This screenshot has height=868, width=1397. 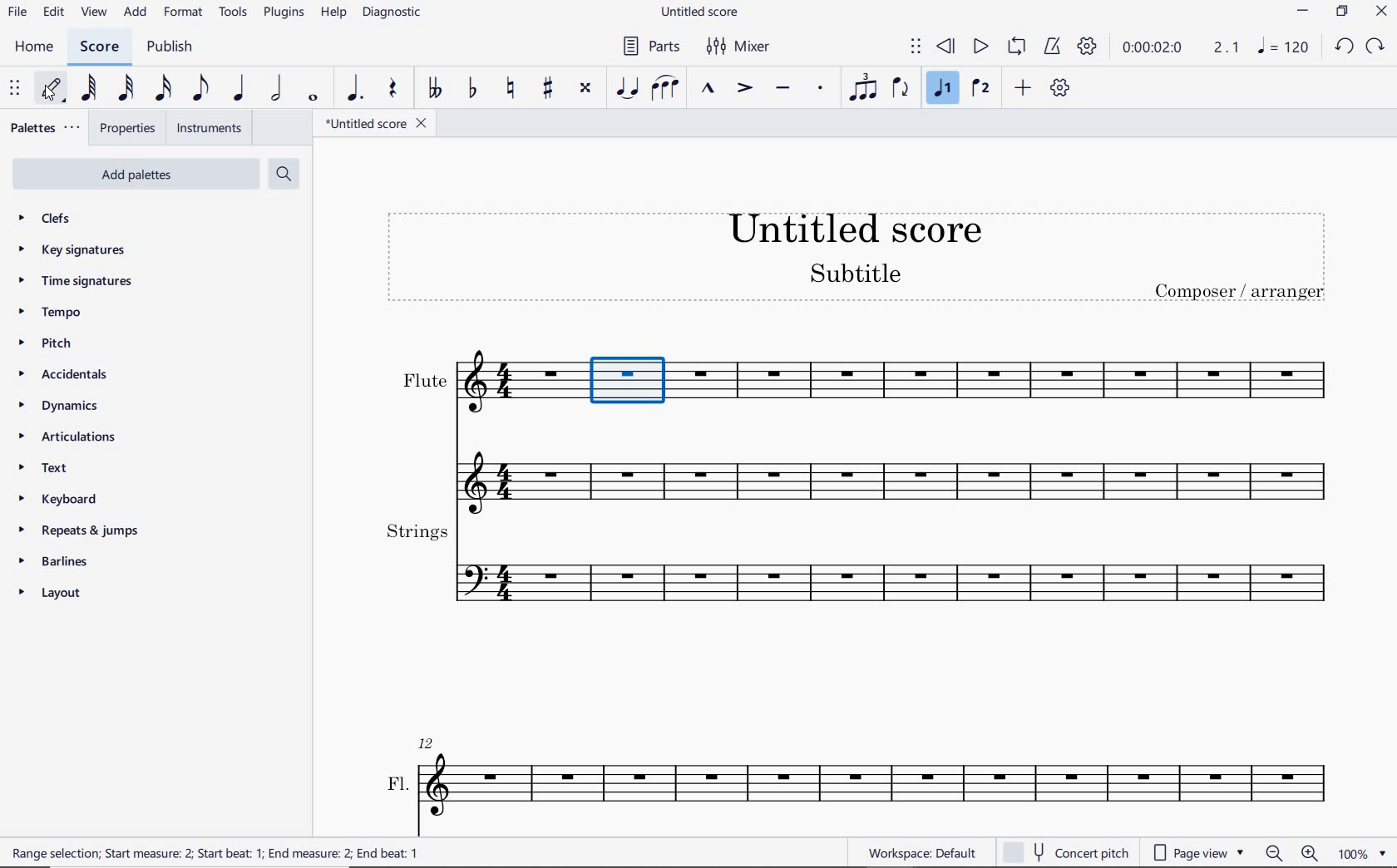 I want to click on FILE NAME, so click(x=704, y=12).